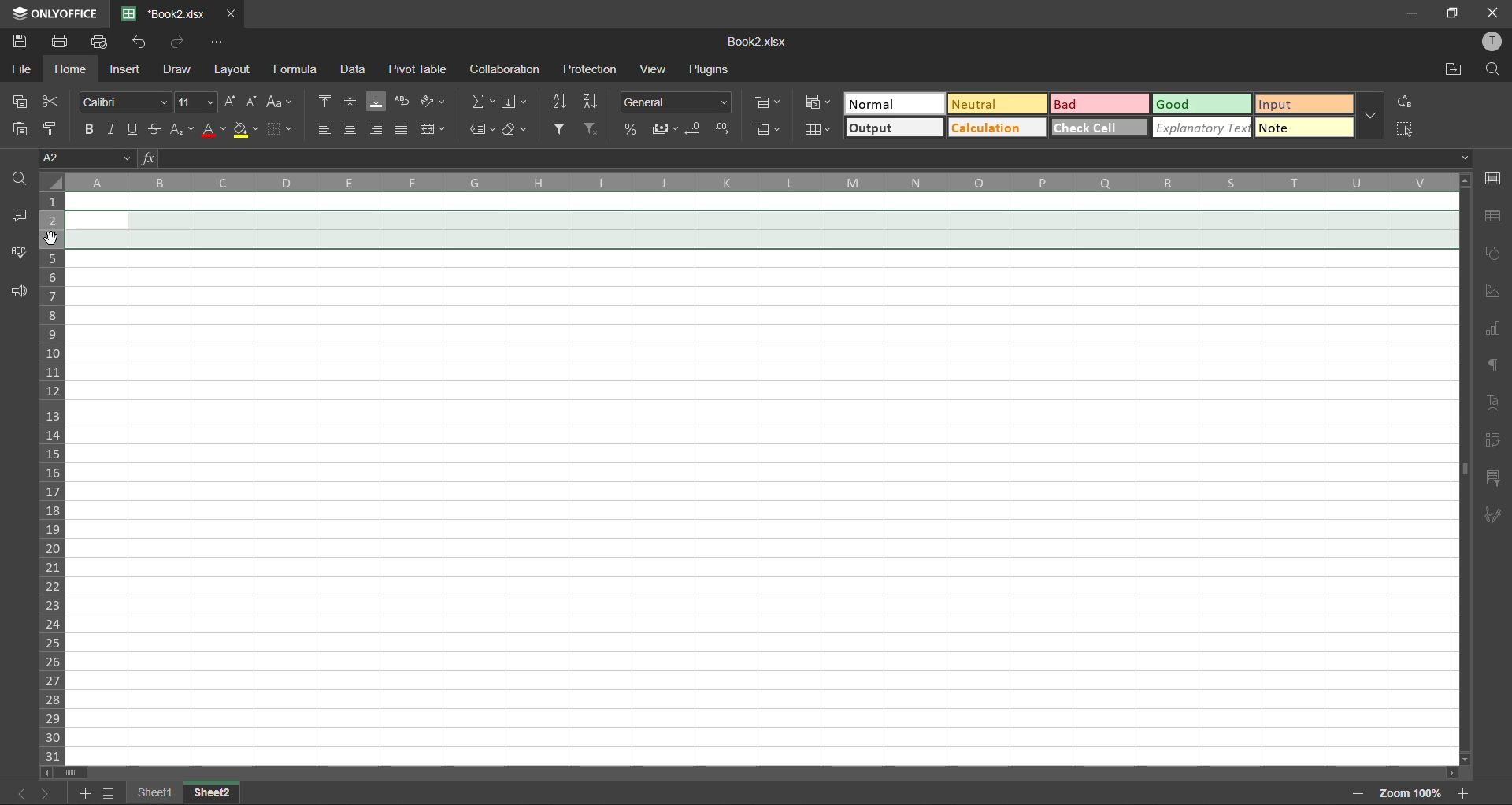 The image size is (1512, 805). What do you see at coordinates (402, 101) in the screenshot?
I see `wrap text` at bounding box center [402, 101].